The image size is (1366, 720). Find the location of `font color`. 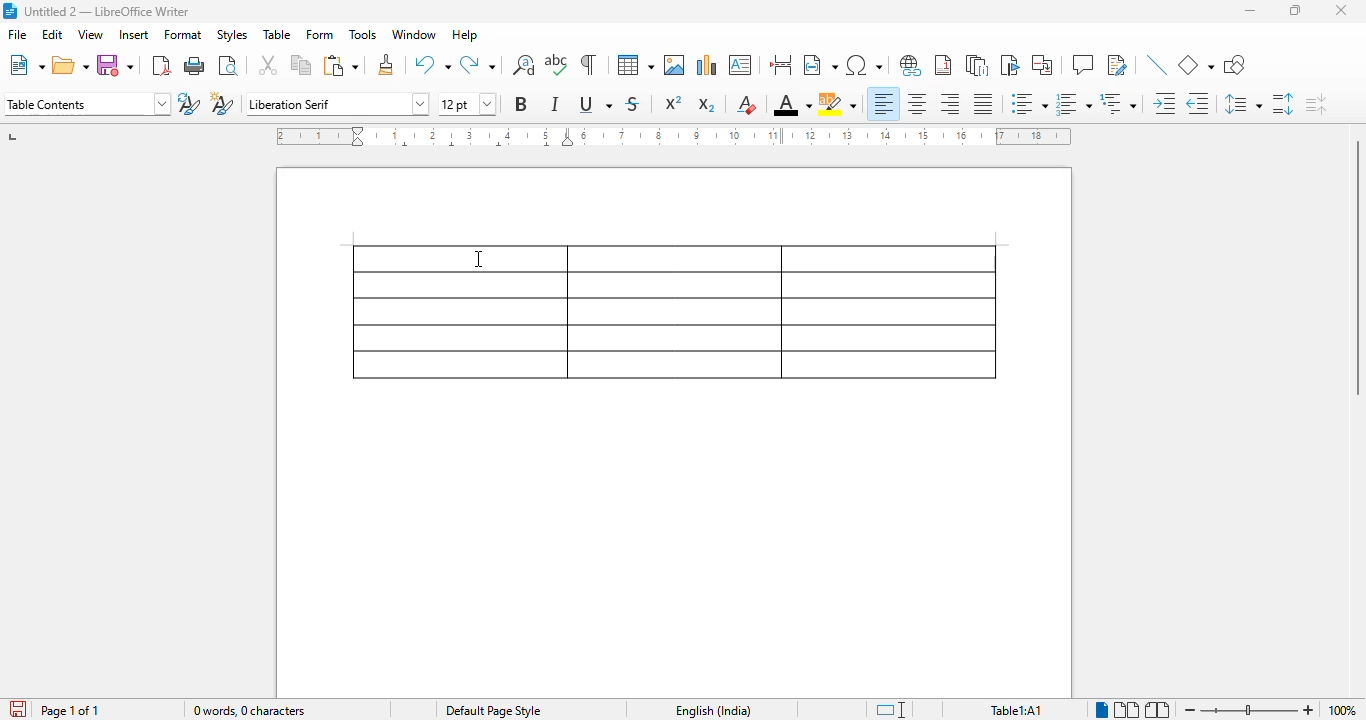

font color is located at coordinates (792, 104).